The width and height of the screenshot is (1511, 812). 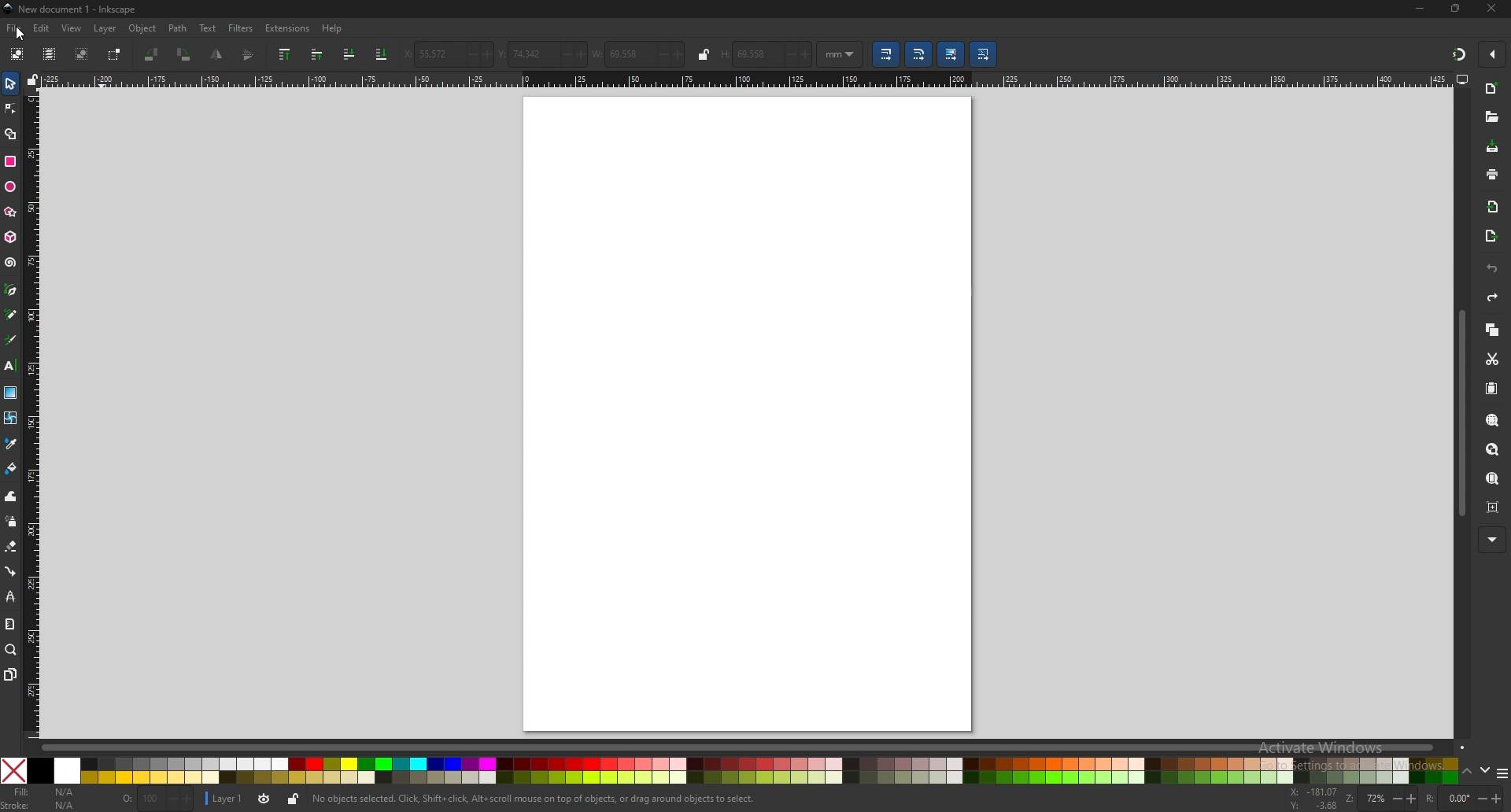 What do you see at coordinates (1494, 507) in the screenshot?
I see `zoom centre page` at bounding box center [1494, 507].